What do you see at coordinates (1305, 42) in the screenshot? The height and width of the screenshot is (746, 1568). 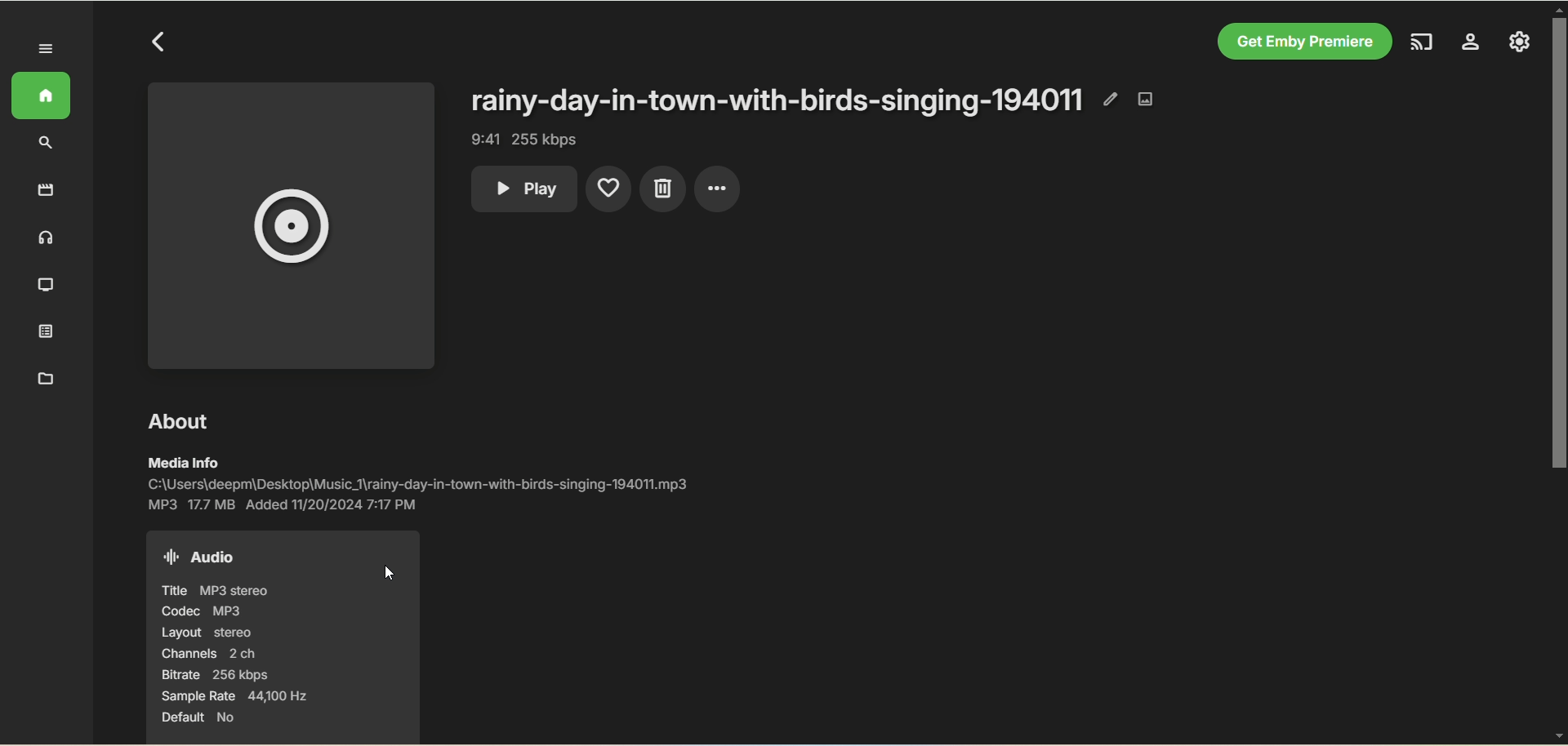 I see `get emby premiere` at bounding box center [1305, 42].